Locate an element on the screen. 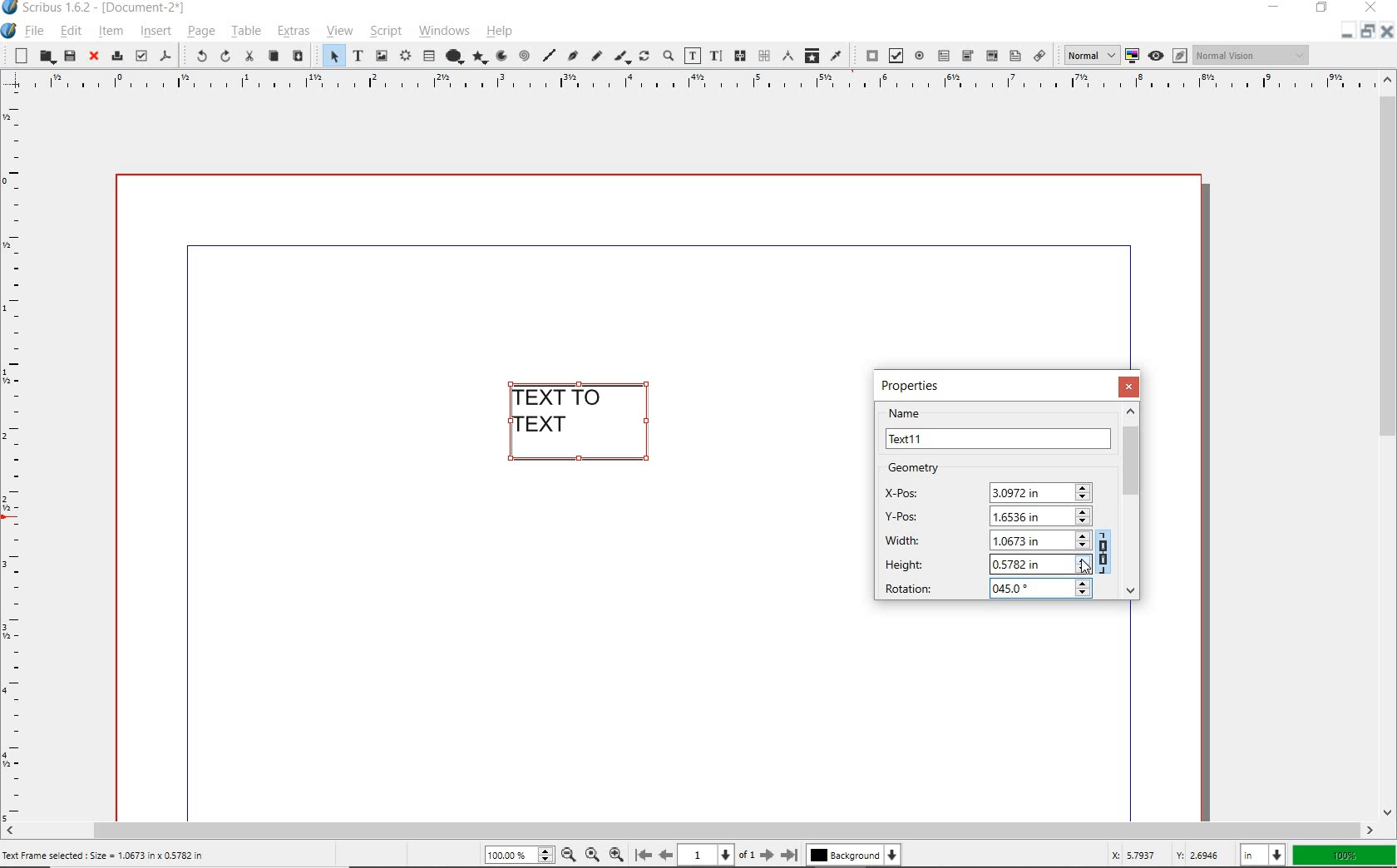 This screenshot has width=1397, height=868. zoom level is located at coordinates (522, 856).